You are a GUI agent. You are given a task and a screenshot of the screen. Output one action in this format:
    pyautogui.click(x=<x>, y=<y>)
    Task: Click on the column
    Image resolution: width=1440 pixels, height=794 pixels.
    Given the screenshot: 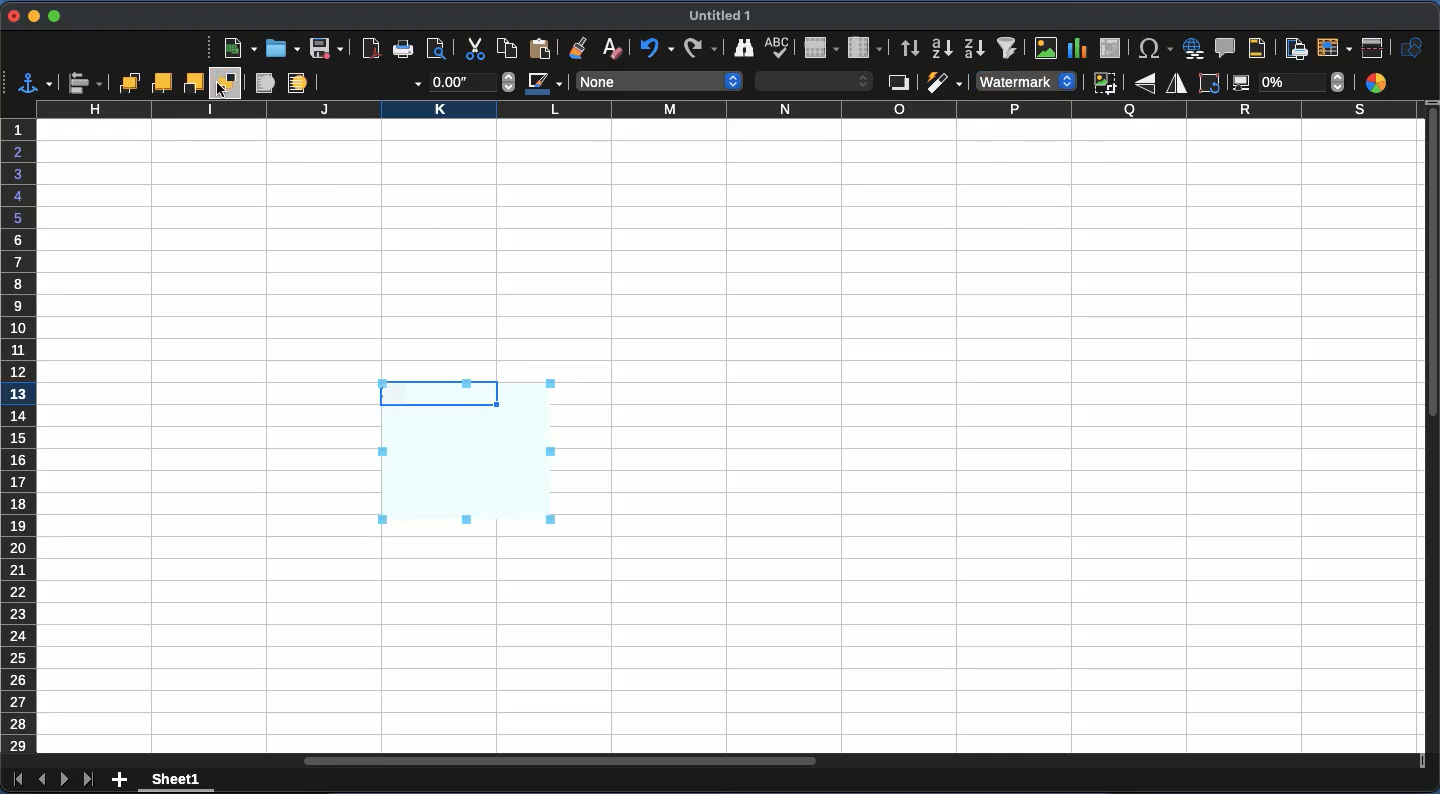 What is the action you would take?
    pyautogui.click(x=725, y=110)
    